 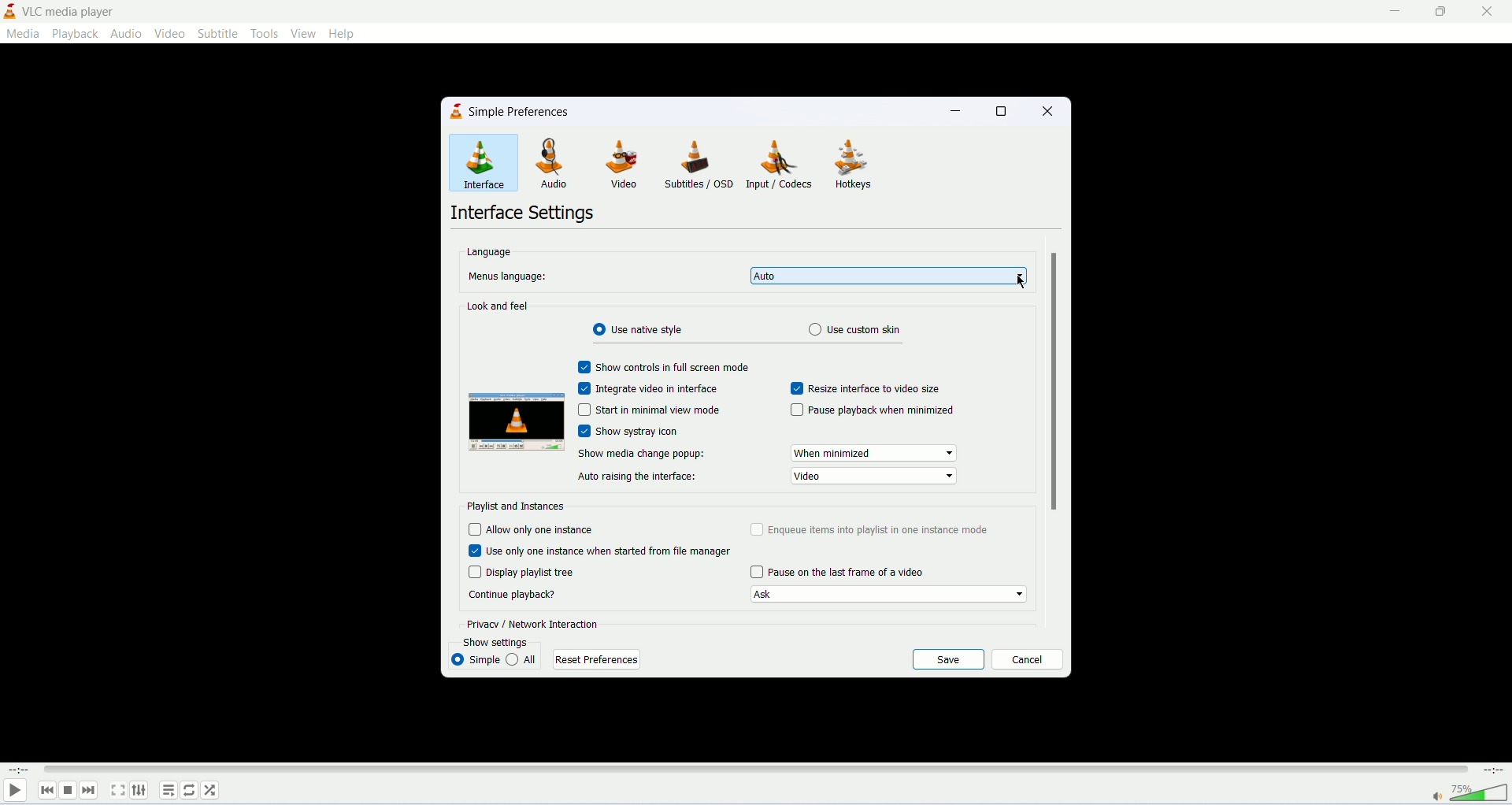 I want to click on enqueue items into playlist in one instance mode, so click(x=871, y=529).